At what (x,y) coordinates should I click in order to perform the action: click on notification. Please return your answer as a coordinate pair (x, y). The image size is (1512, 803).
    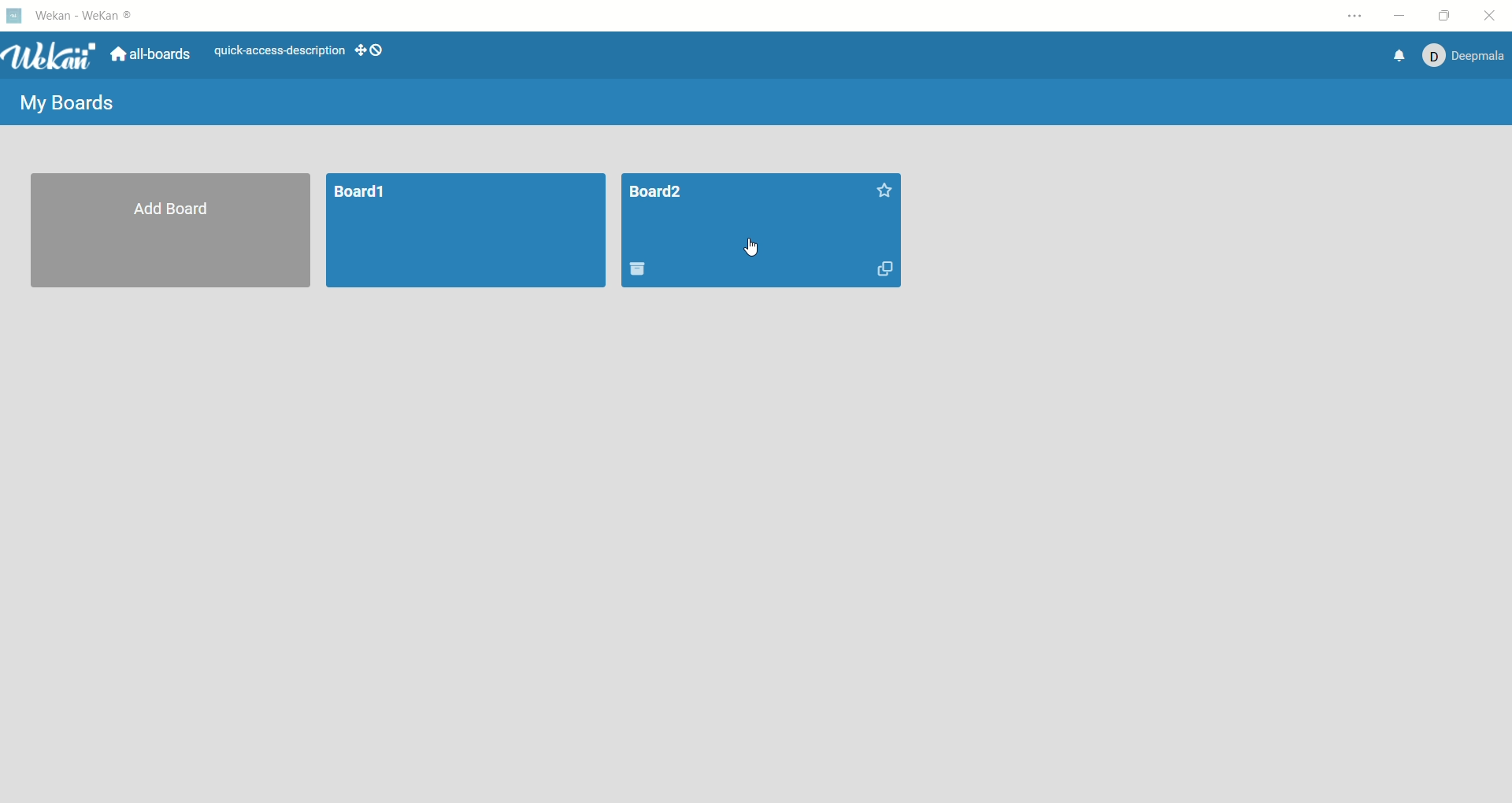
    Looking at the image, I should click on (1393, 56).